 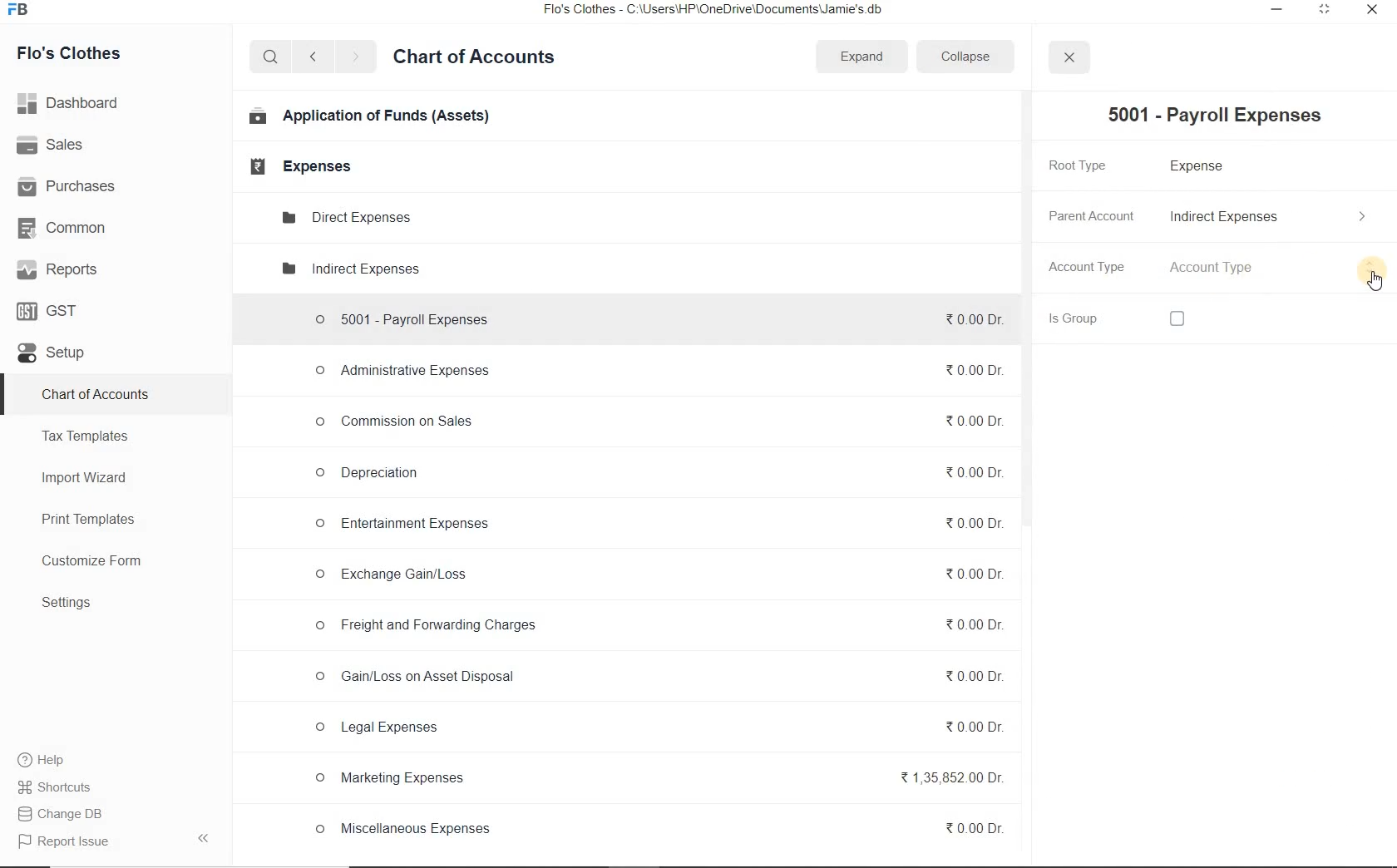 What do you see at coordinates (1370, 13) in the screenshot?
I see `close` at bounding box center [1370, 13].